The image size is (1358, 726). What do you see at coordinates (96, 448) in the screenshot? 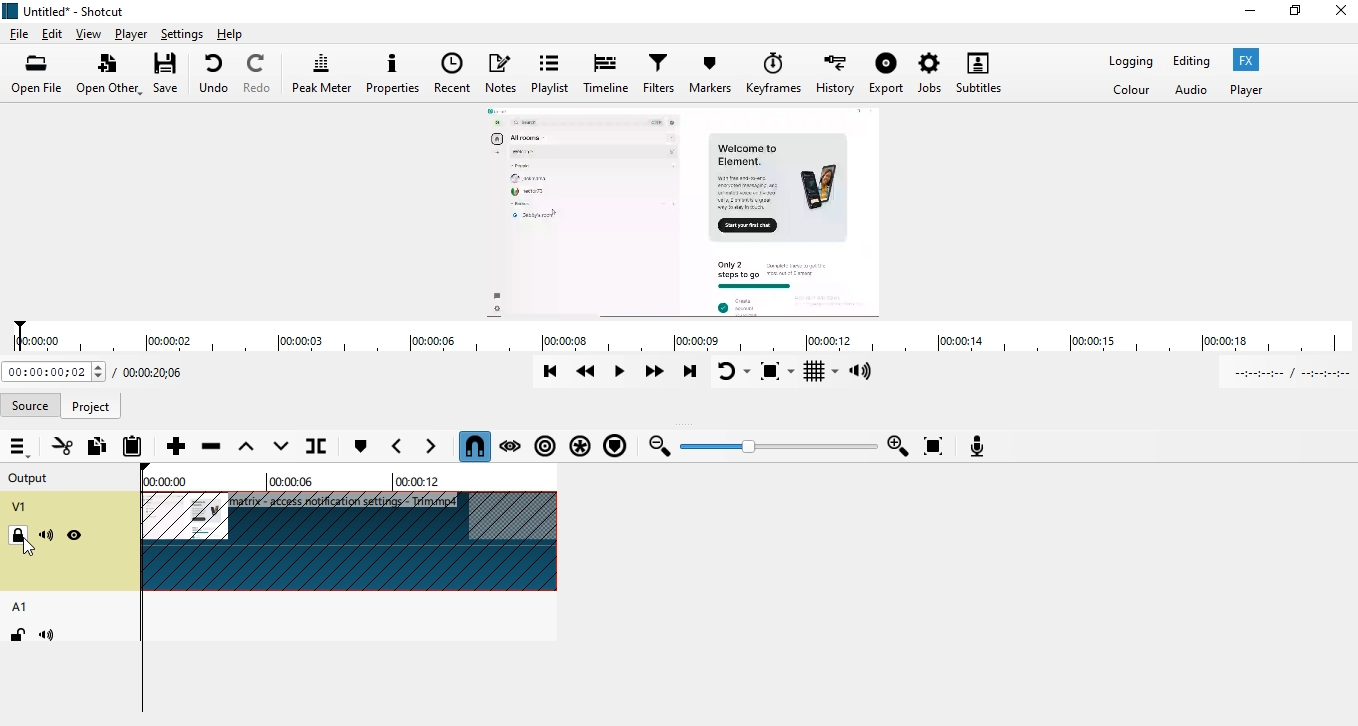
I see `Copy` at bounding box center [96, 448].